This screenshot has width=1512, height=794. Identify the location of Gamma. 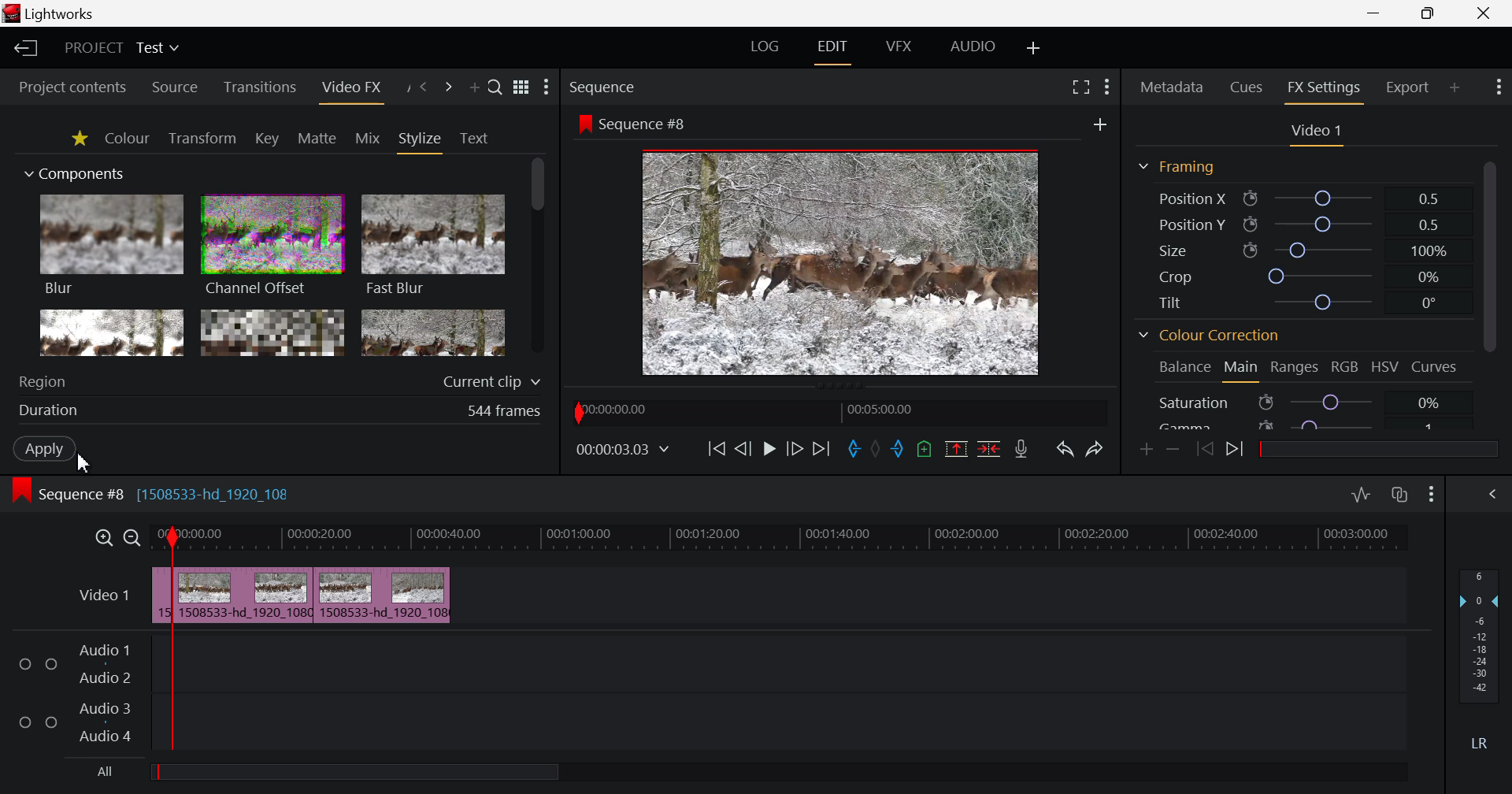
(1310, 423).